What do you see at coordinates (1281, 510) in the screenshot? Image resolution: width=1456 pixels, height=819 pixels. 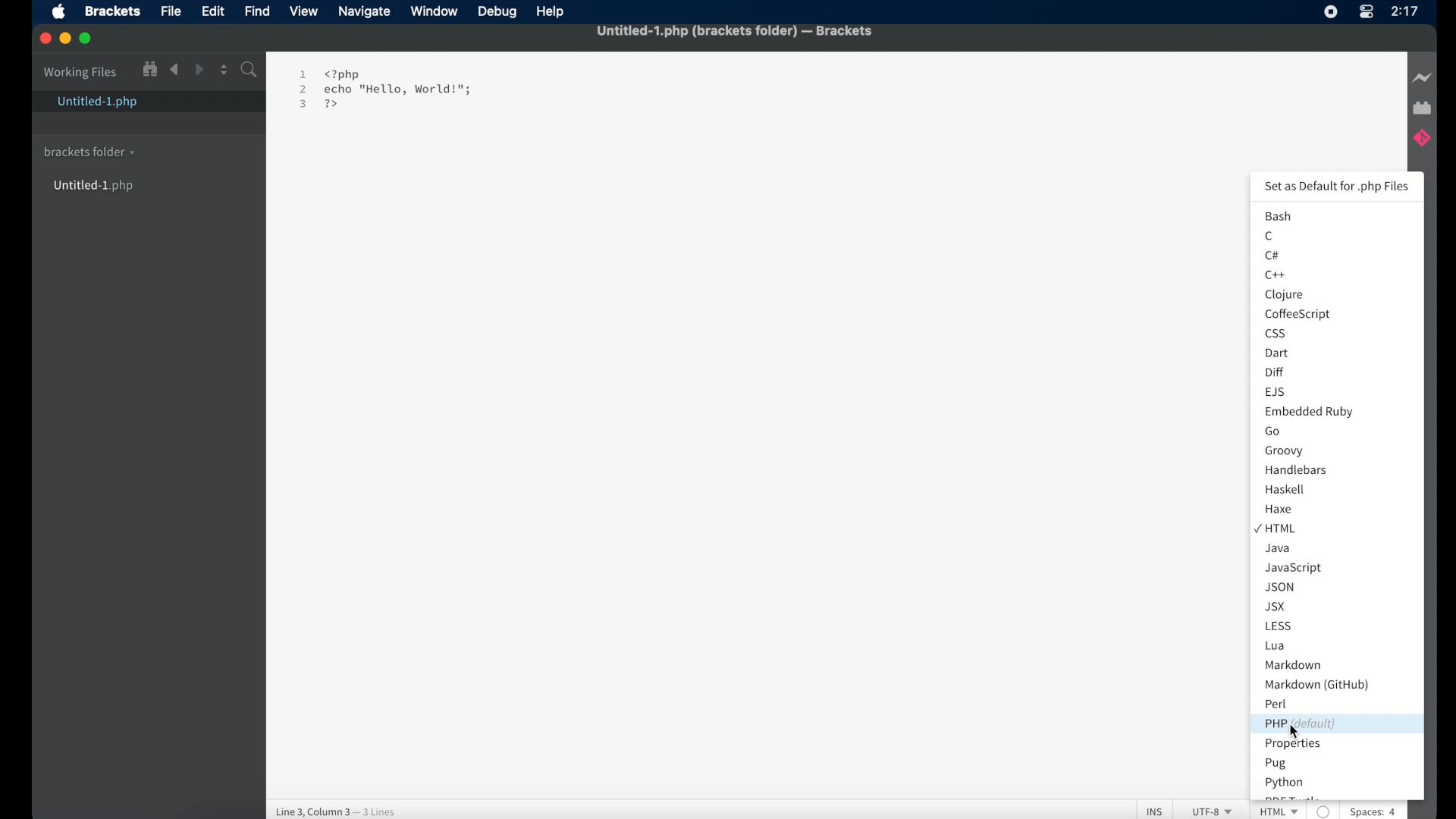 I see `haxe` at bounding box center [1281, 510].